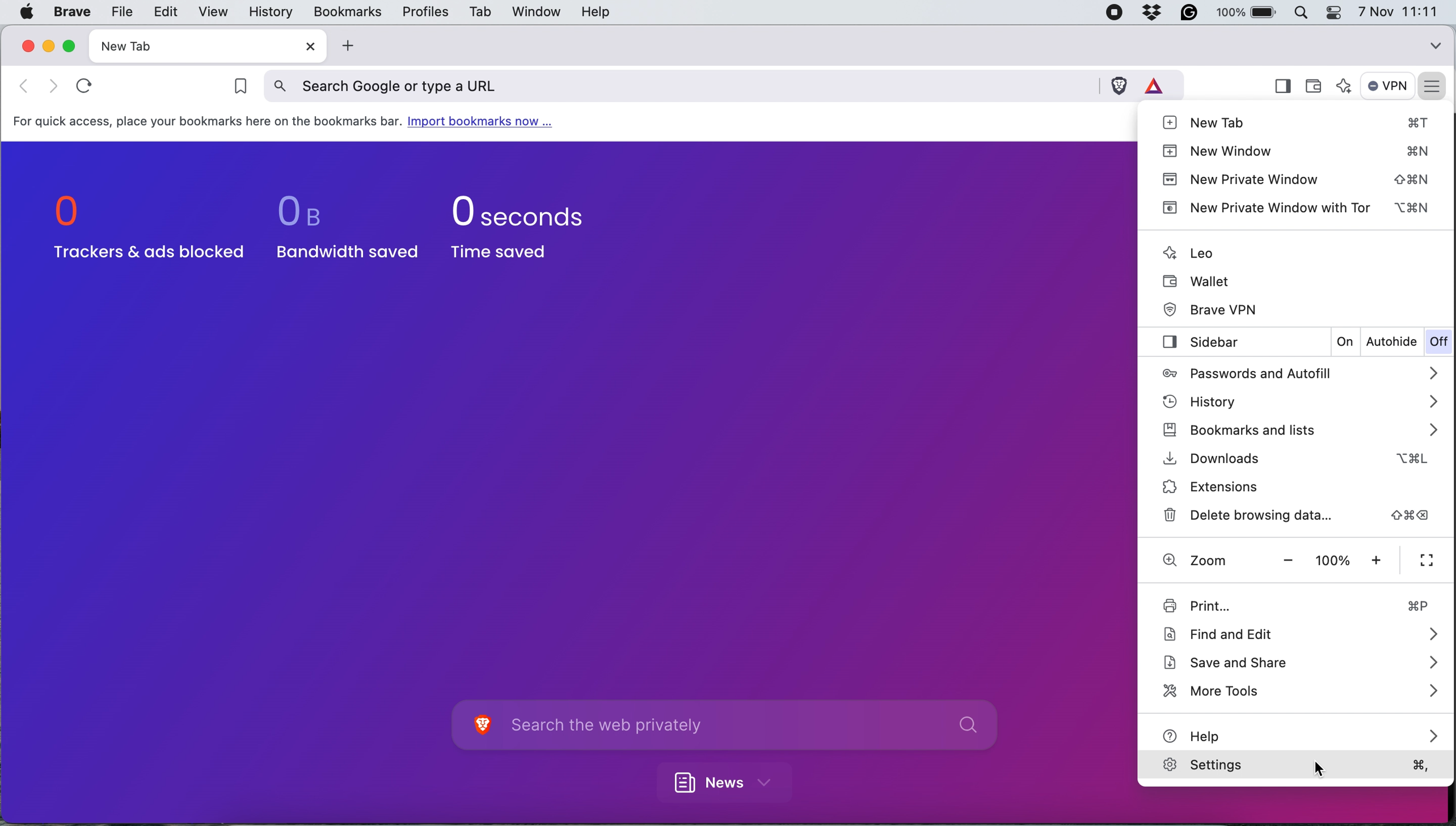 This screenshot has height=826, width=1456. What do you see at coordinates (1438, 343) in the screenshot?
I see `off` at bounding box center [1438, 343].